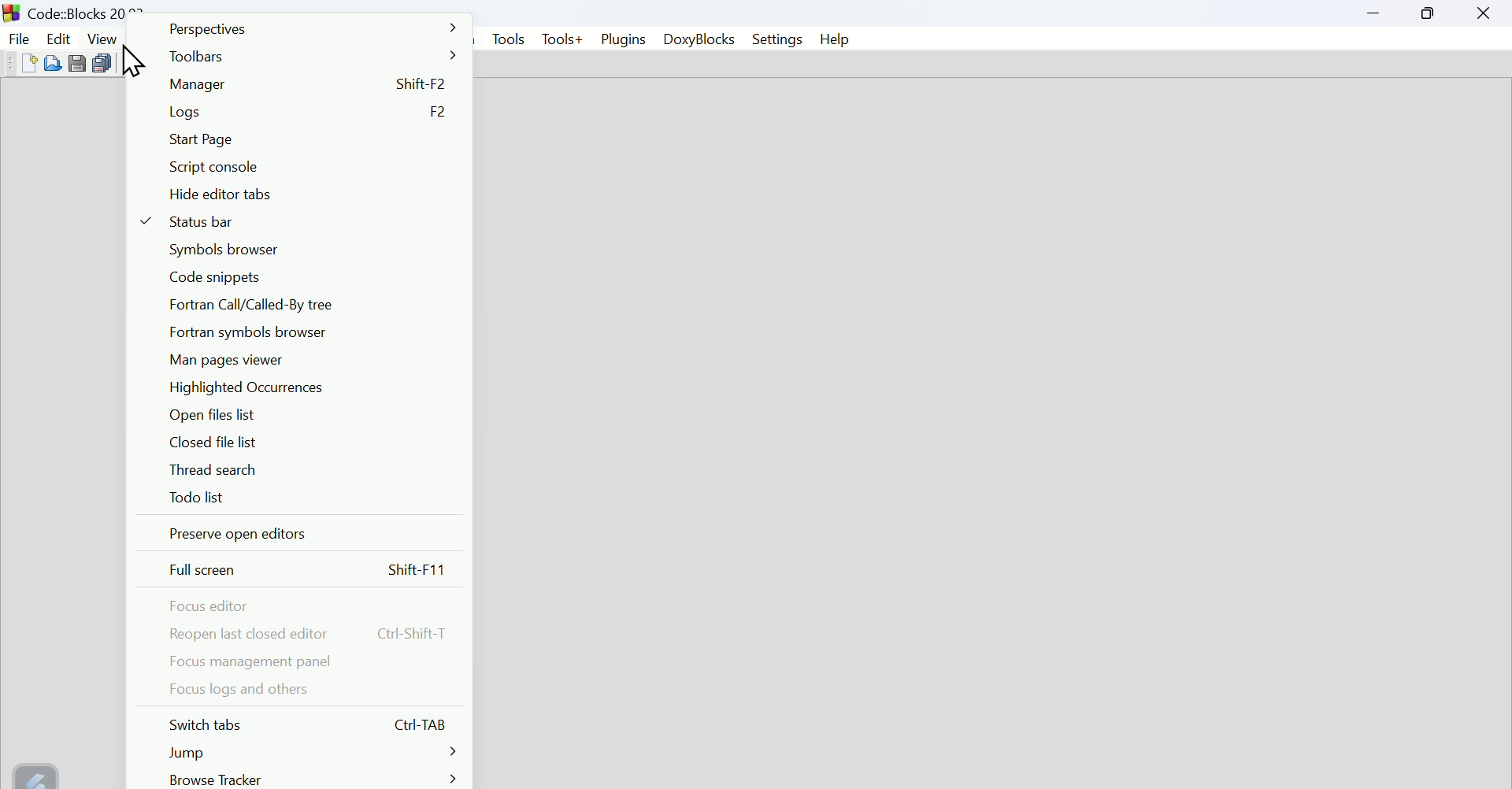  I want to click on minimize, so click(1376, 13).